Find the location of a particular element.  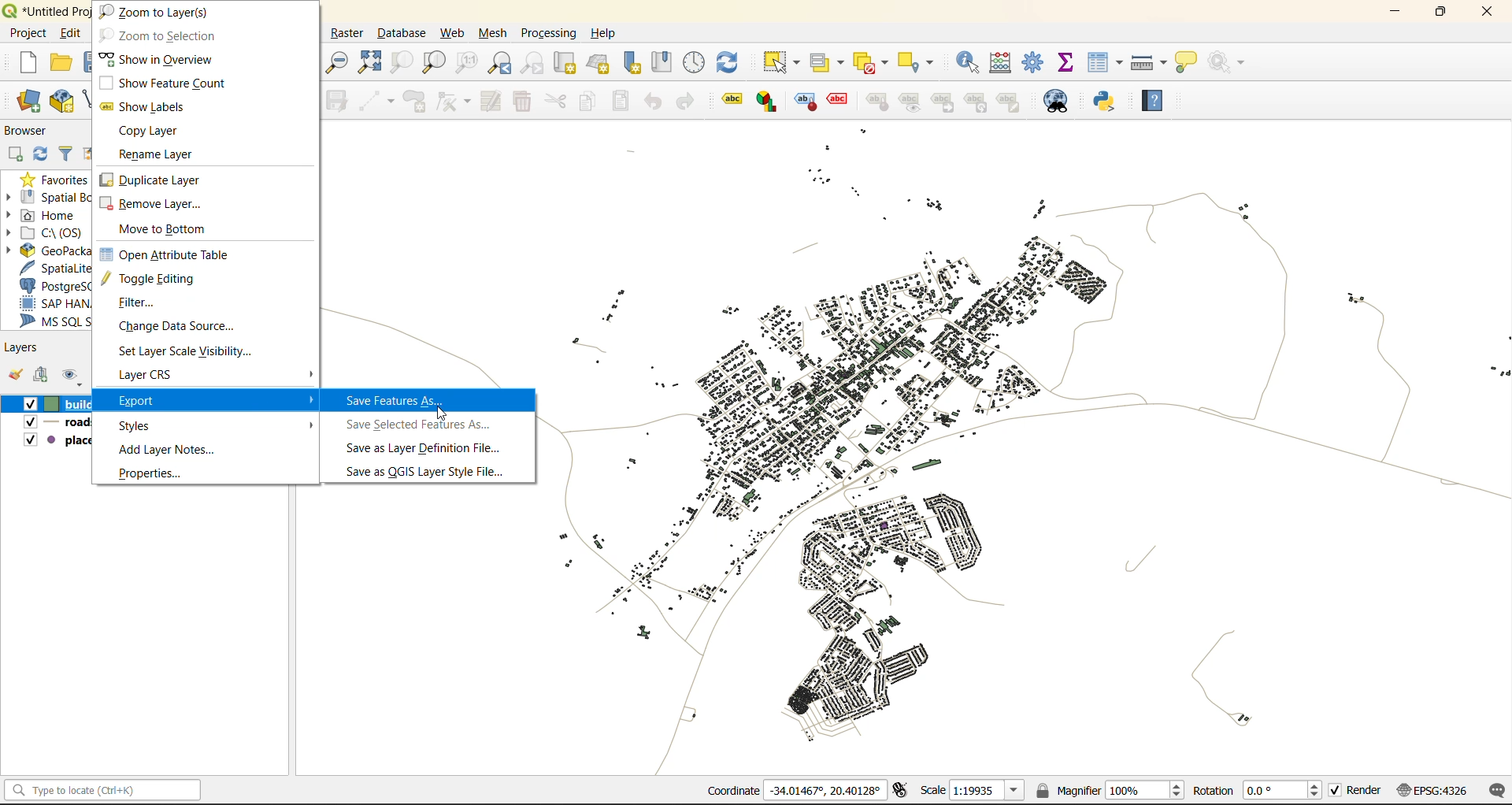

select value is located at coordinates (828, 62).